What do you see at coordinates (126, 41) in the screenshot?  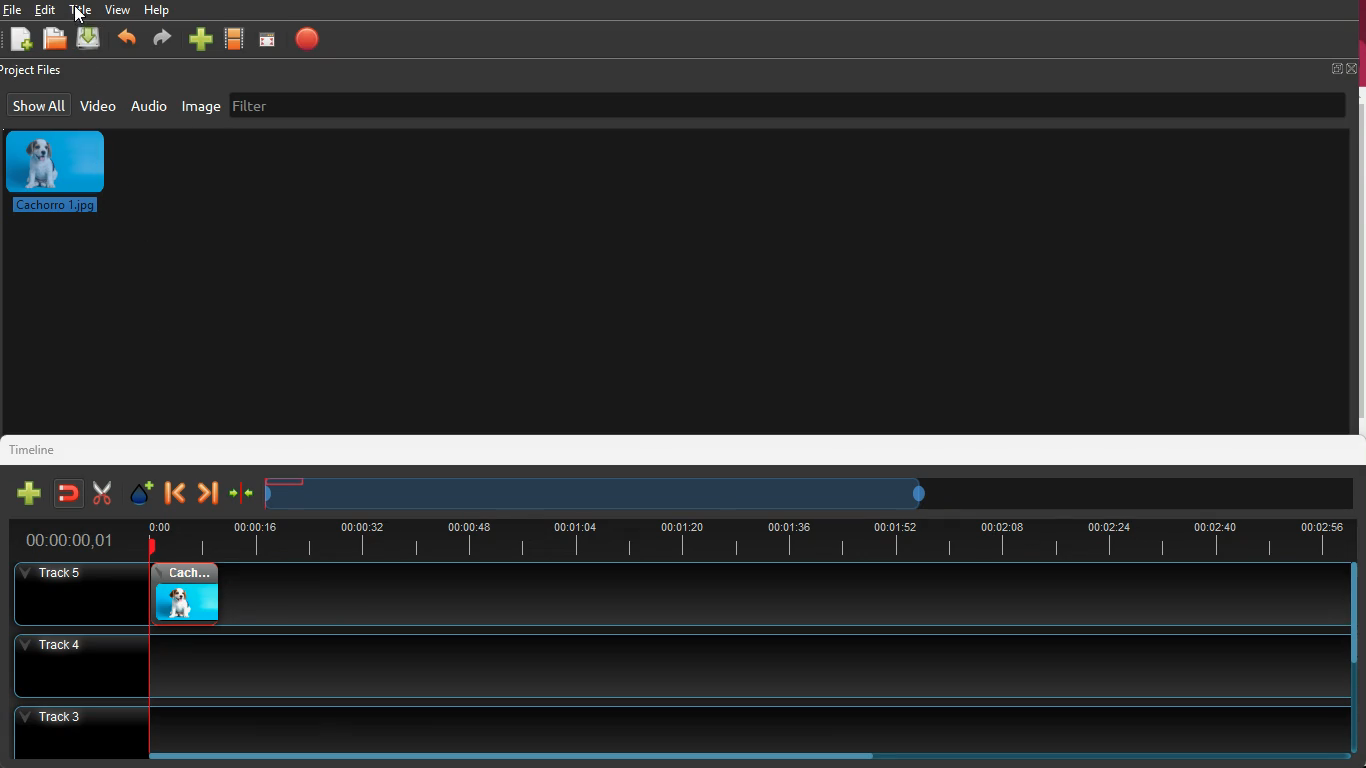 I see `back` at bounding box center [126, 41].